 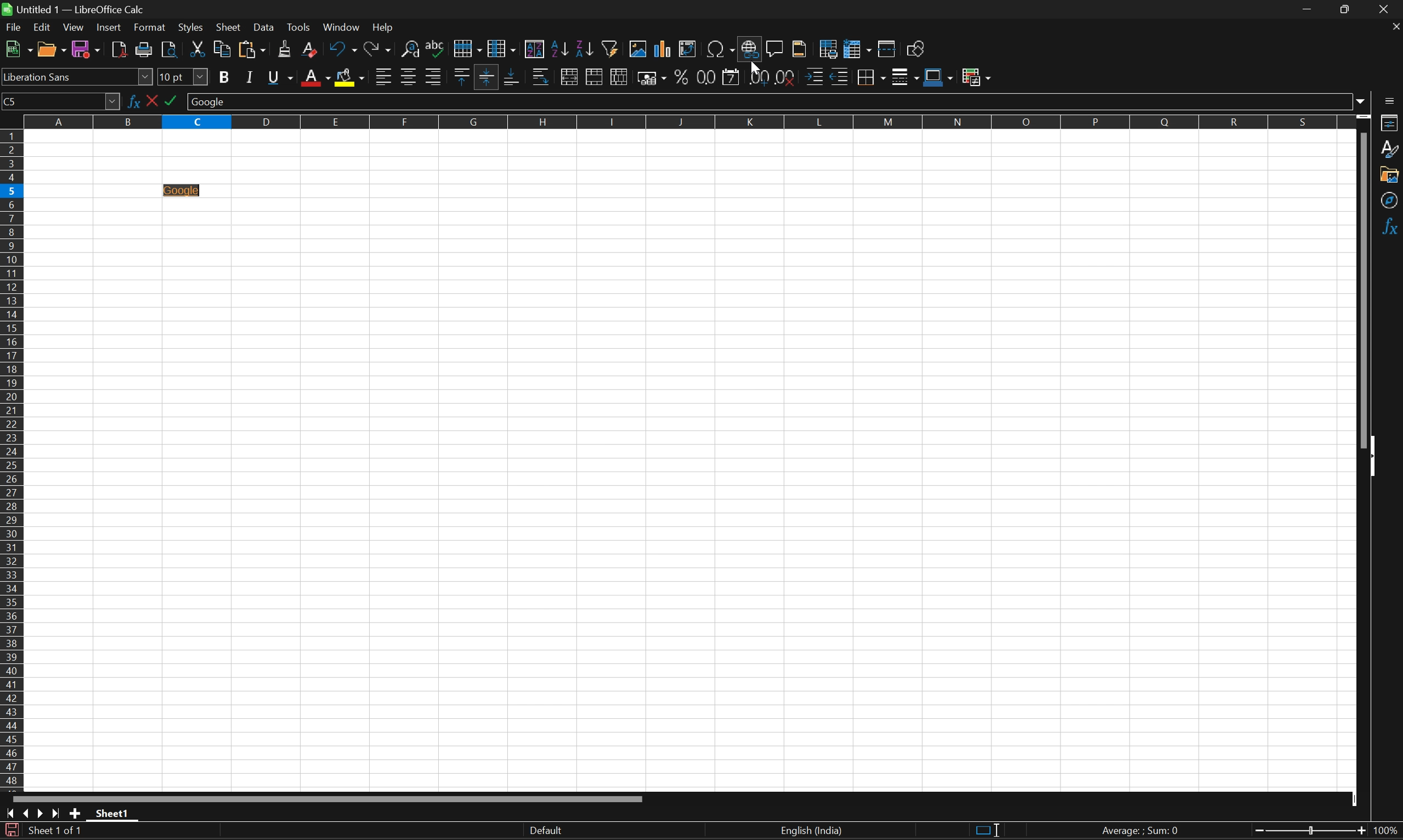 I want to click on Scroll bar, so click(x=1363, y=288).